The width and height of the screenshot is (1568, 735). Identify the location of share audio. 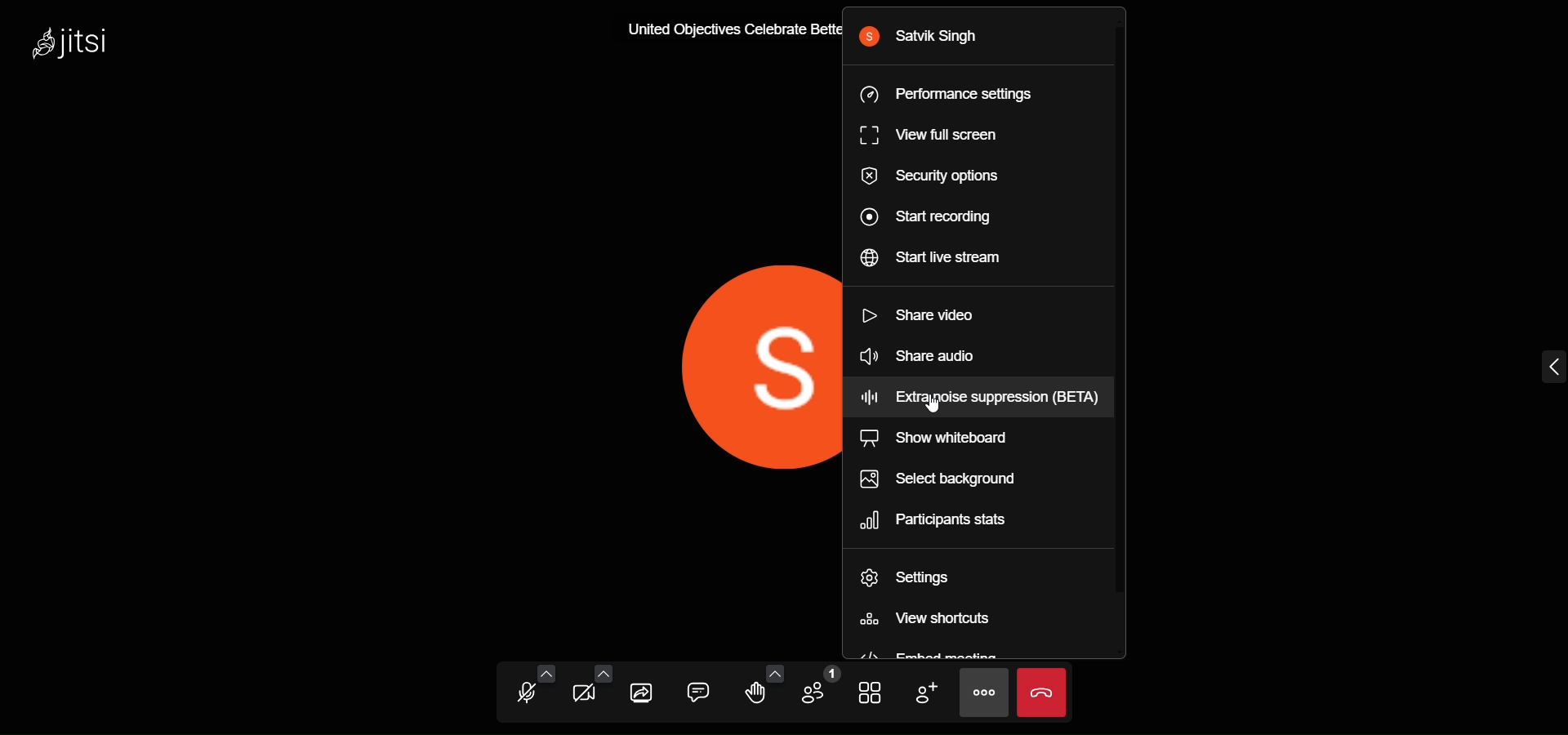
(932, 356).